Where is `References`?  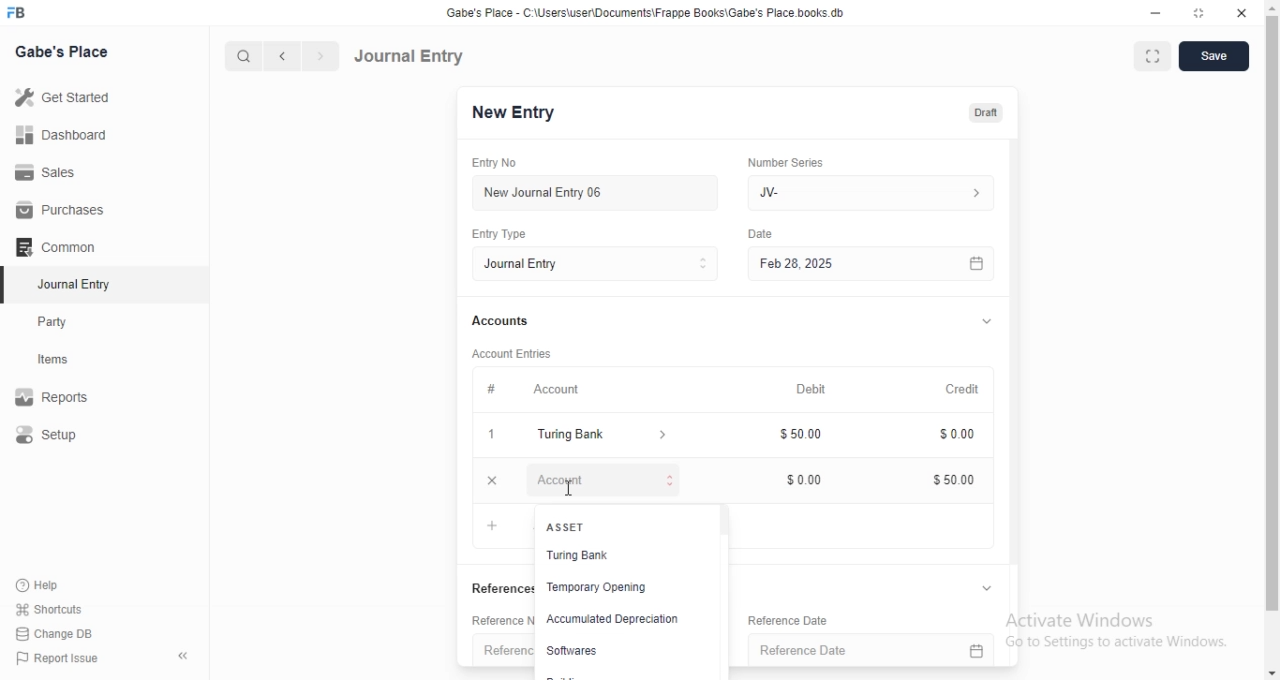
References is located at coordinates (502, 588).